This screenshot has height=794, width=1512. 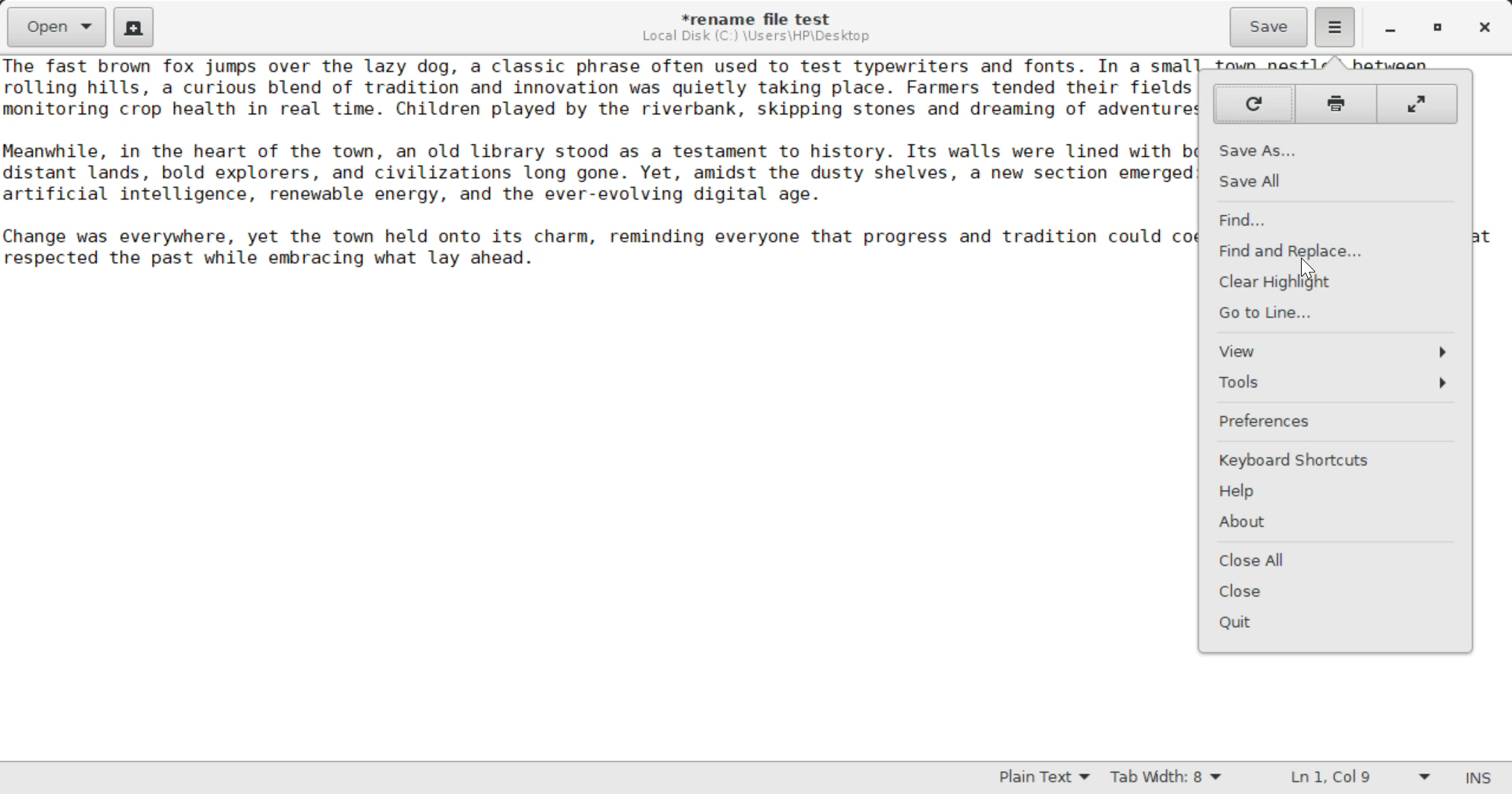 I want to click on Quit, so click(x=1333, y=625).